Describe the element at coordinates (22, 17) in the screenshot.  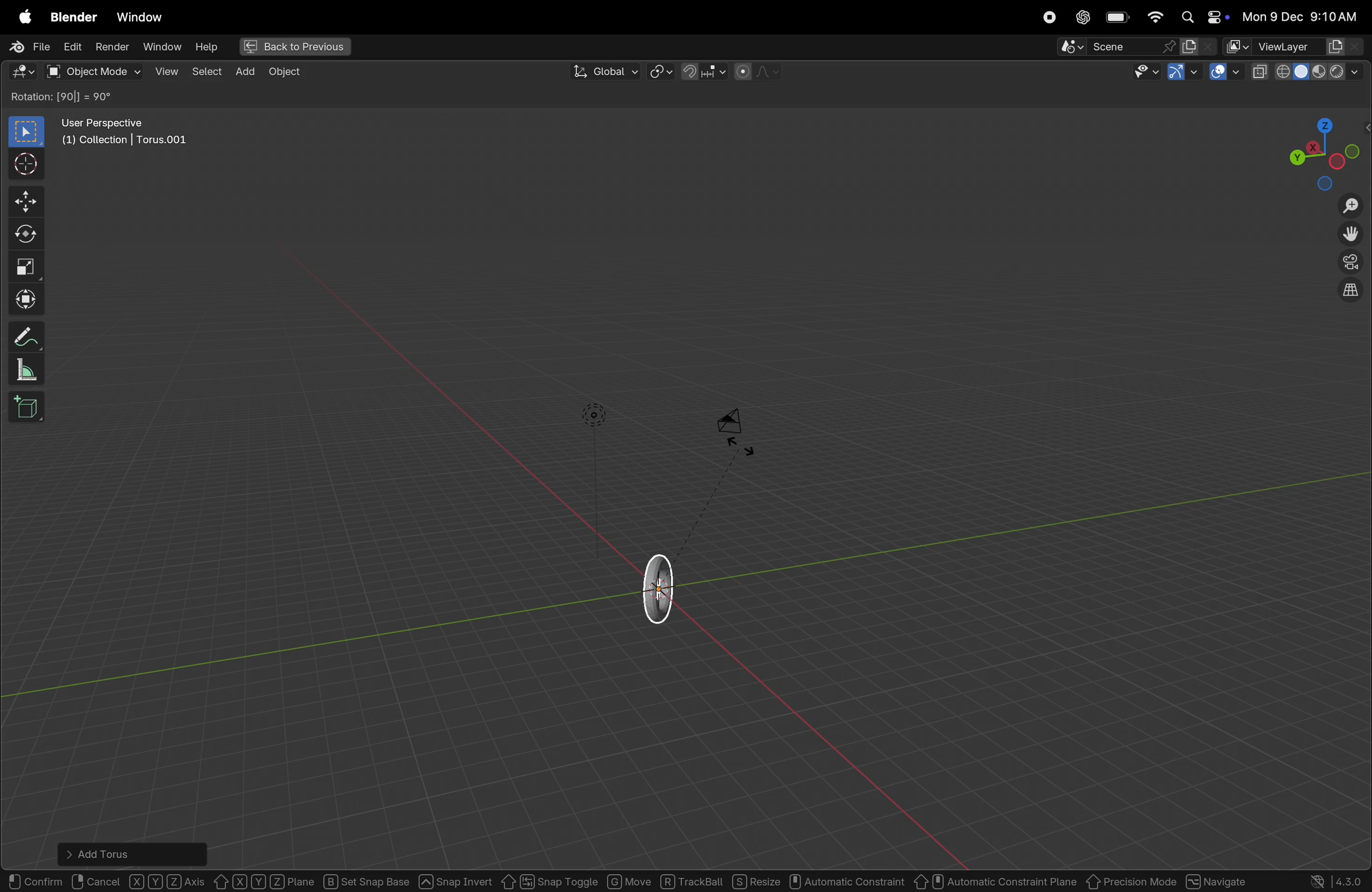
I see `apple menu` at that location.